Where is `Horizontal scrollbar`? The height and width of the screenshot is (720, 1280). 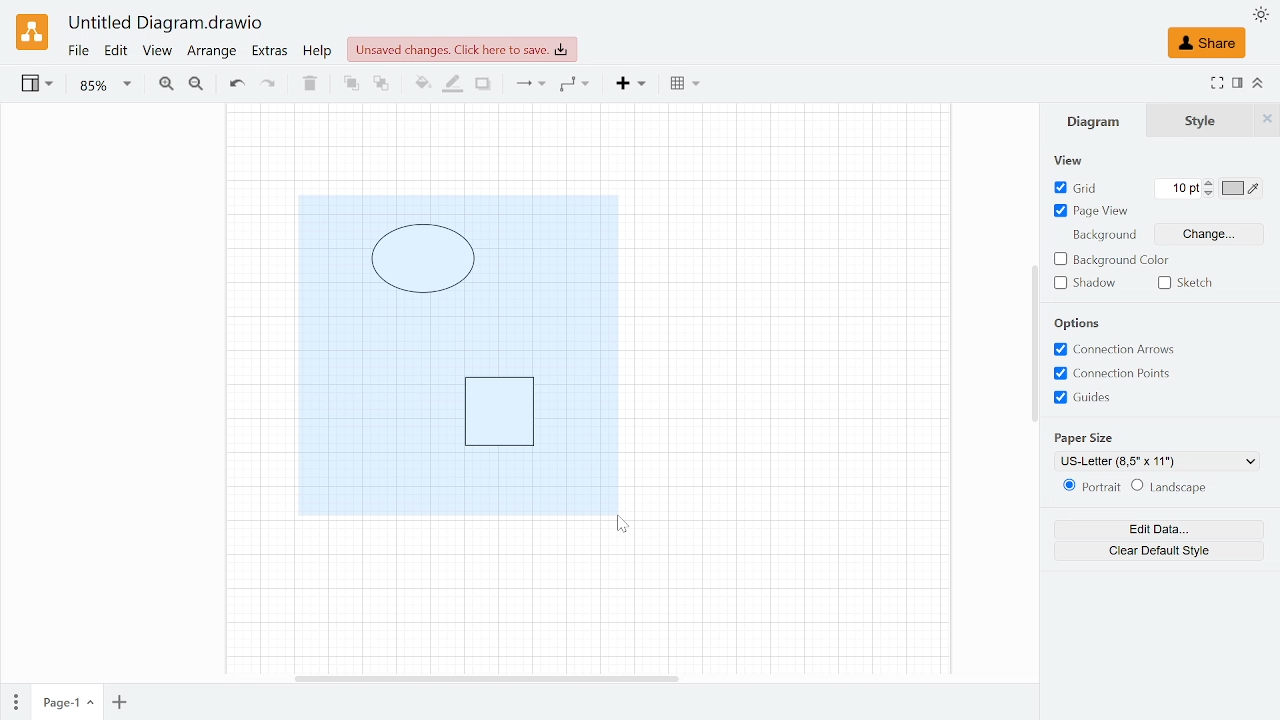
Horizontal scrollbar is located at coordinates (485, 676).